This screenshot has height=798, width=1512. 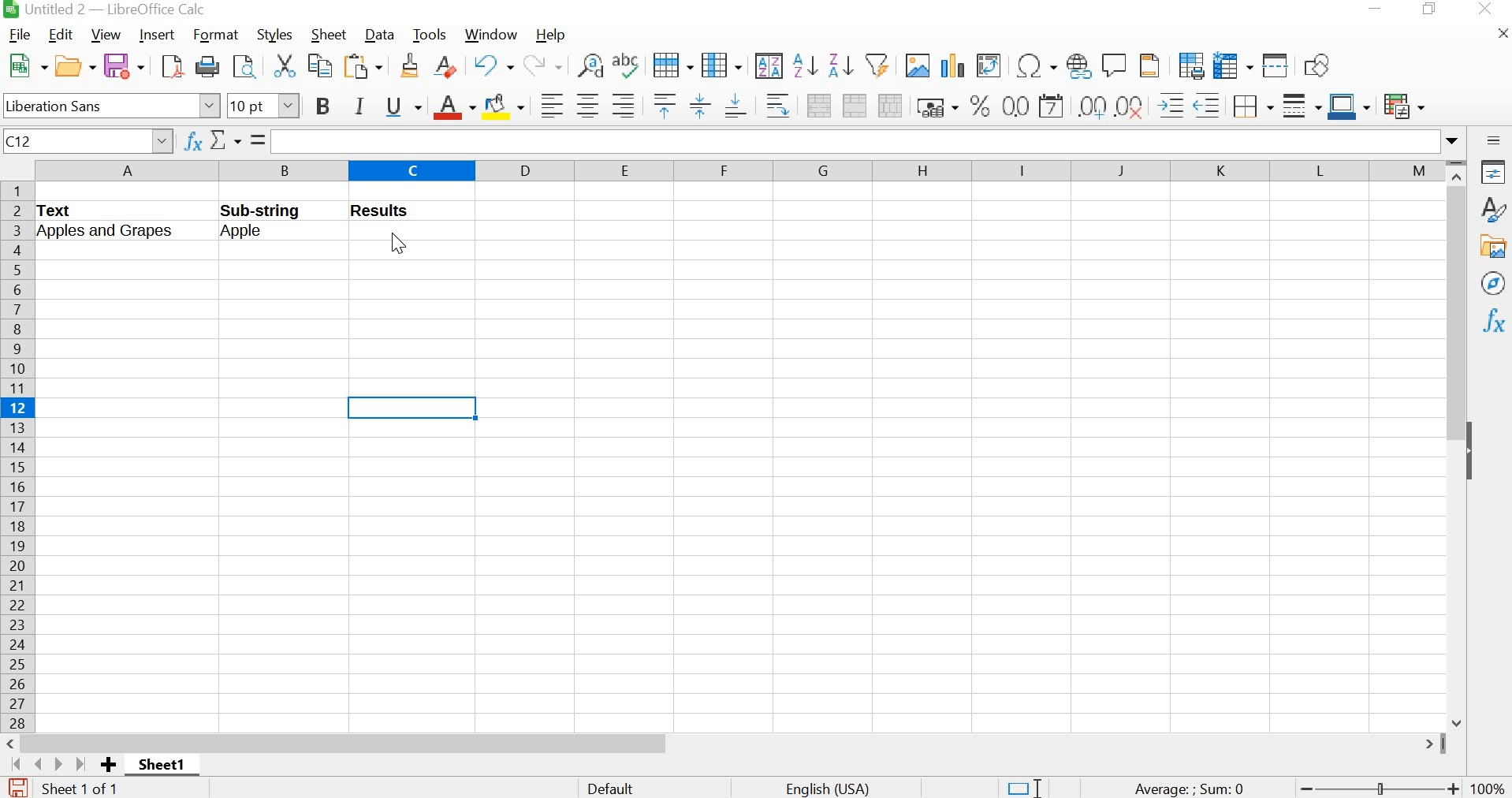 What do you see at coordinates (1092, 106) in the screenshot?
I see `remove decimal place` at bounding box center [1092, 106].